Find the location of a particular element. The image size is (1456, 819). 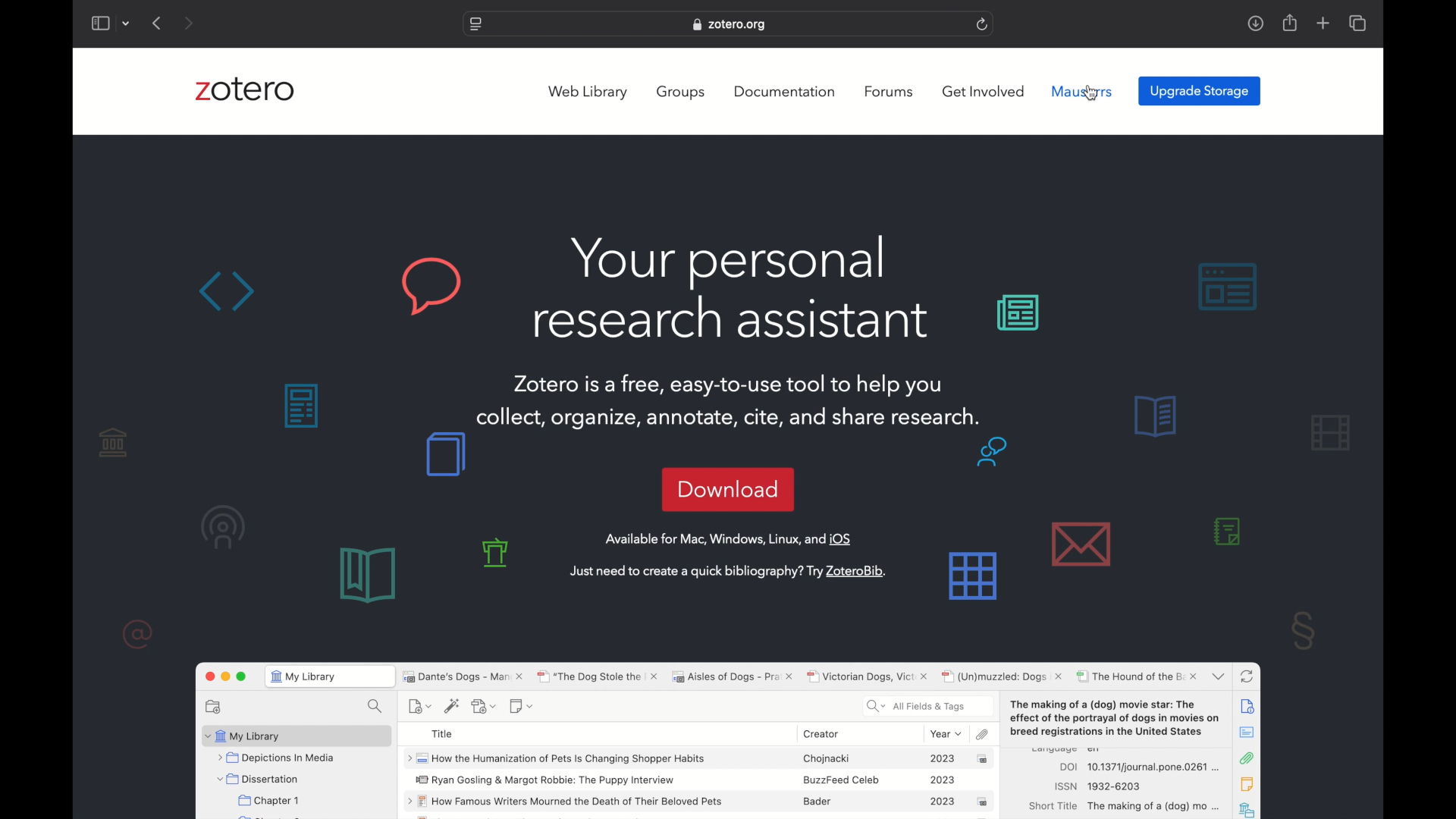

documentation is located at coordinates (783, 92).